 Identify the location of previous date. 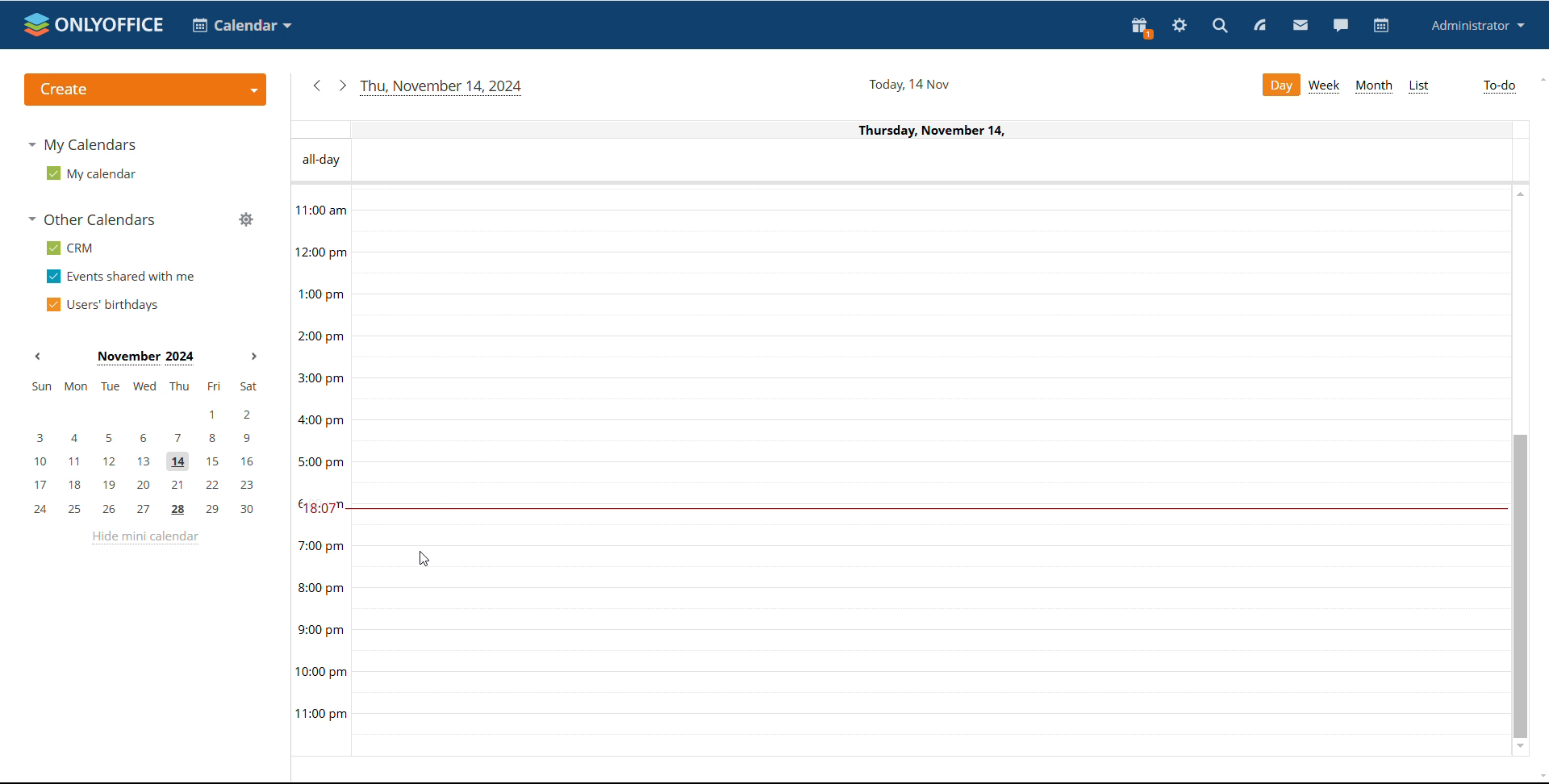
(319, 86).